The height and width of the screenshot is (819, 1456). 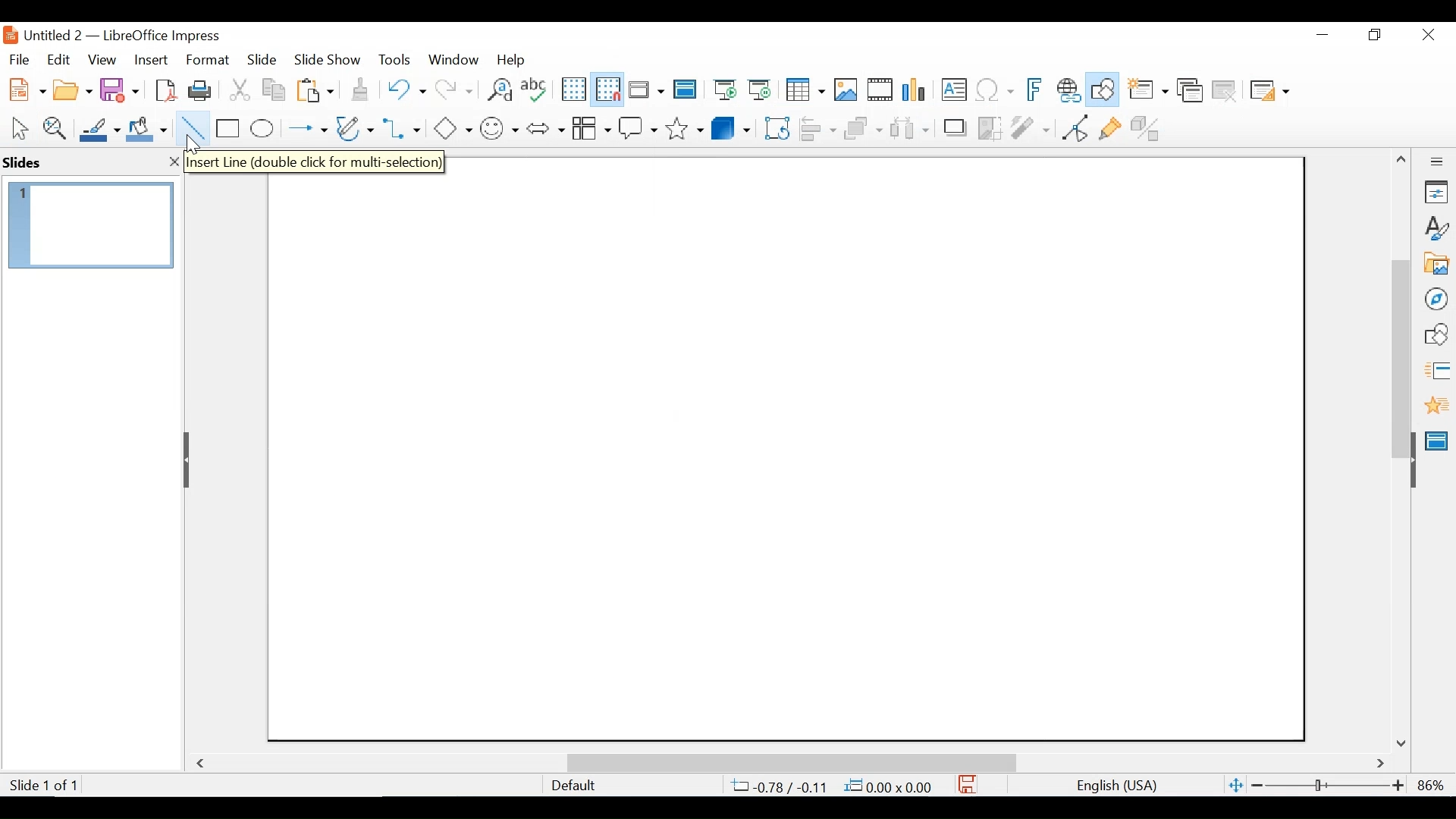 What do you see at coordinates (499, 89) in the screenshot?
I see `Find and Replace` at bounding box center [499, 89].